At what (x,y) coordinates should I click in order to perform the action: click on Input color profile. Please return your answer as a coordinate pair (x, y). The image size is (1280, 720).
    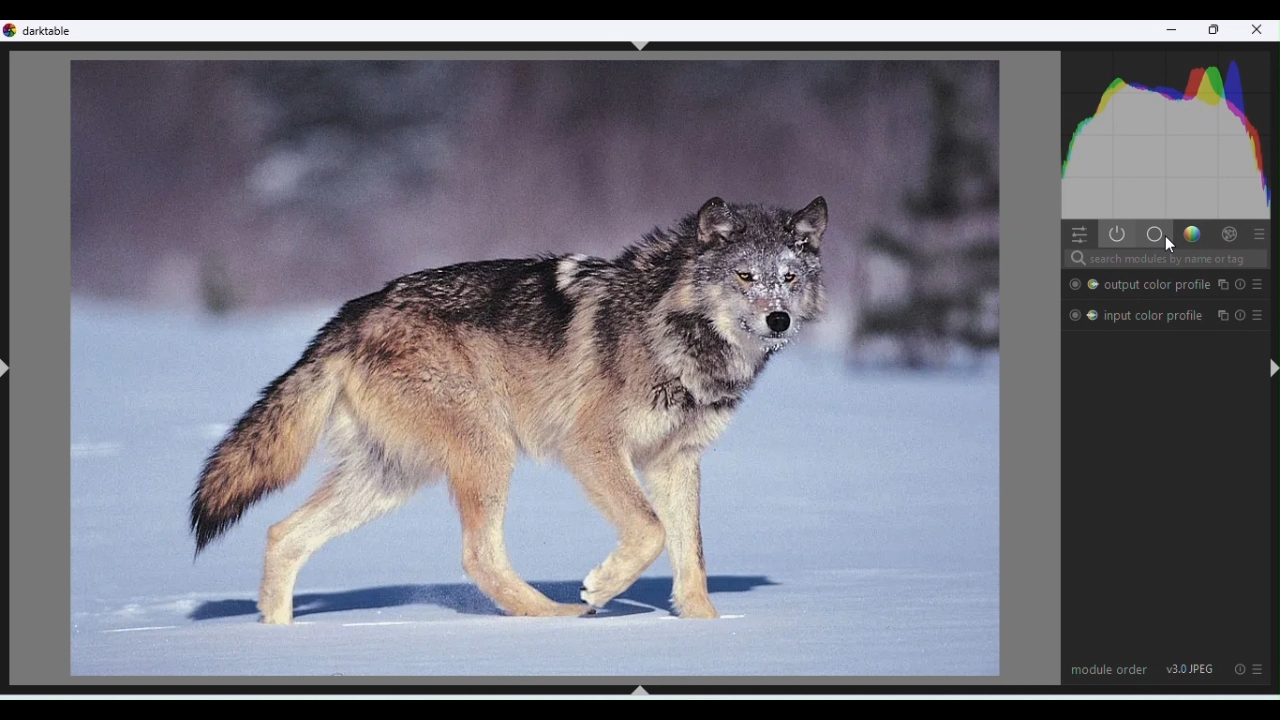
    Looking at the image, I should click on (1178, 313).